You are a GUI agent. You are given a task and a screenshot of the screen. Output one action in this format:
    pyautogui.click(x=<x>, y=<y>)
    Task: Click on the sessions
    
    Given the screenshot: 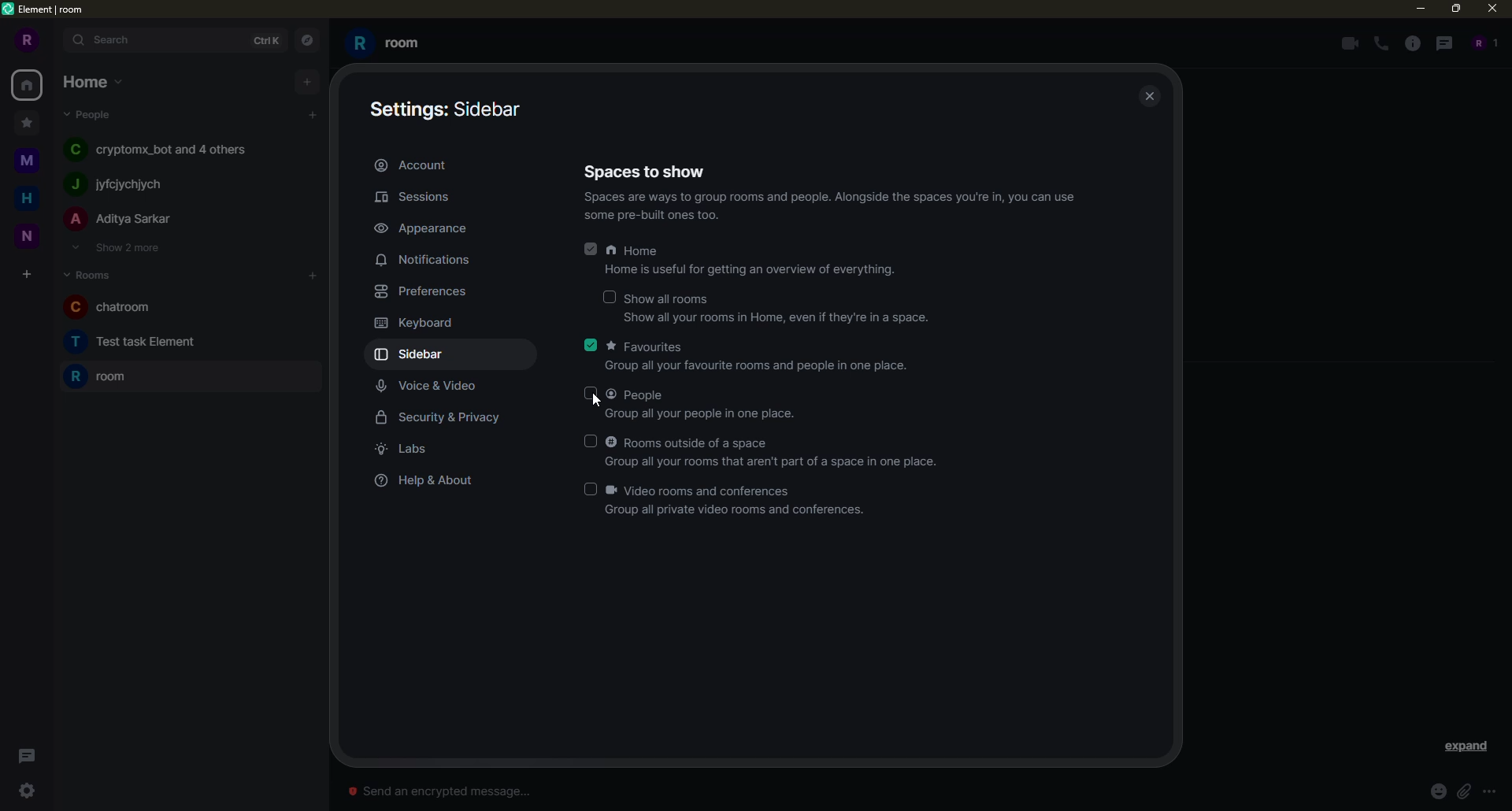 What is the action you would take?
    pyautogui.click(x=417, y=197)
    